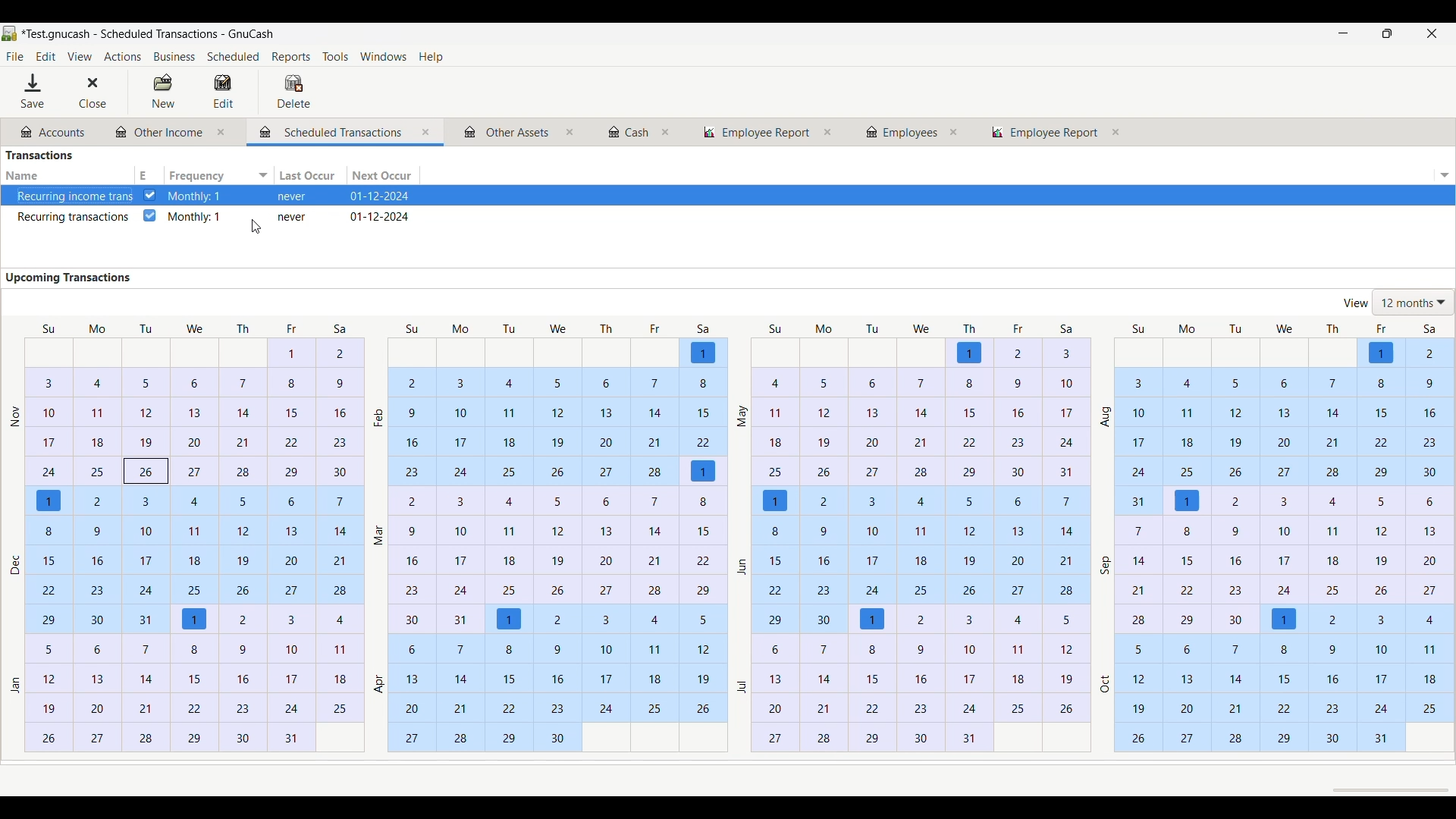 The image size is (1456, 819). Describe the element at coordinates (14, 57) in the screenshot. I see `File menu` at that location.